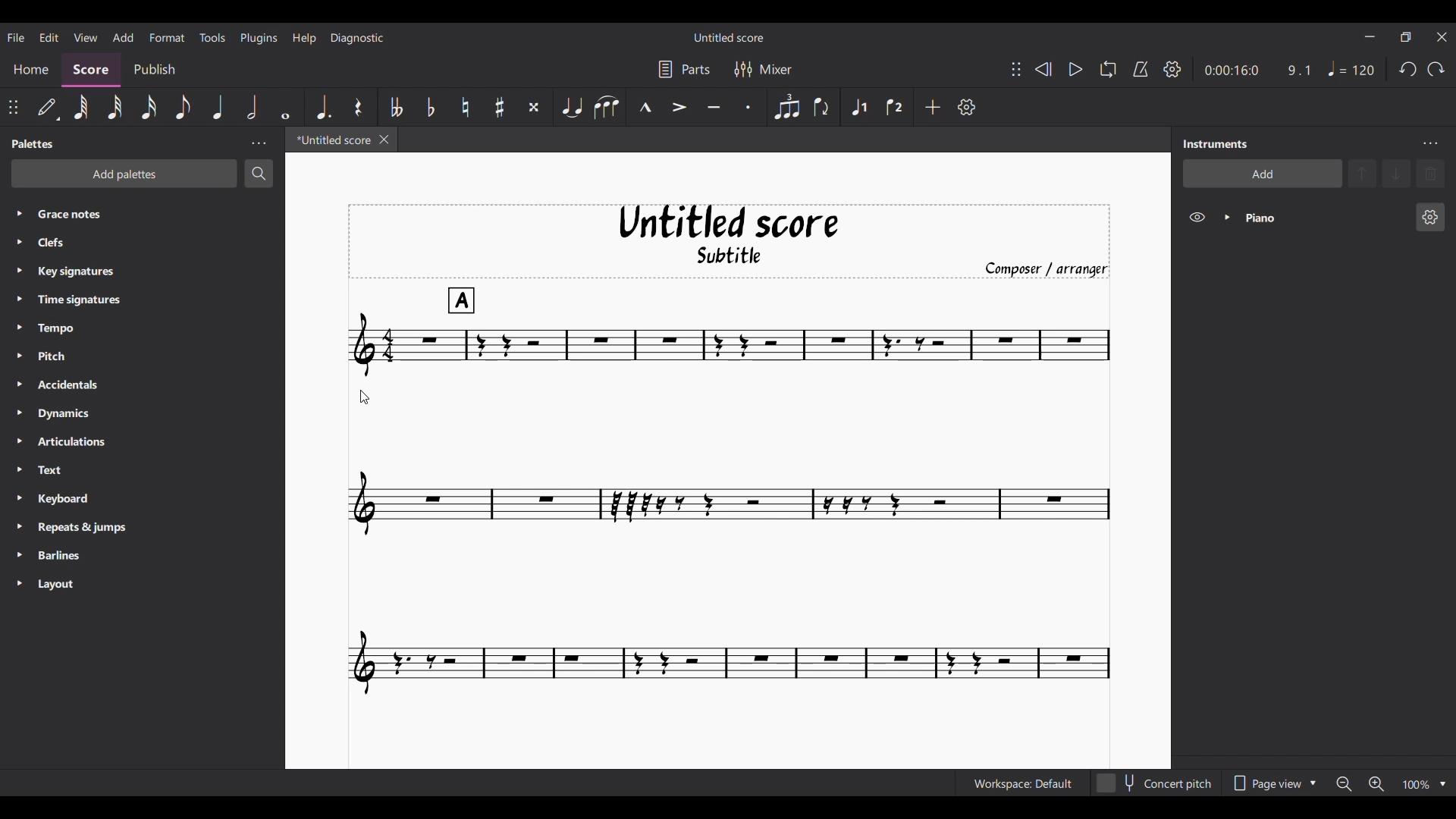 This screenshot has width=1456, height=819. Describe the element at coordinates (93, 299) in the screenshot. I see `Time signatures` at that location.